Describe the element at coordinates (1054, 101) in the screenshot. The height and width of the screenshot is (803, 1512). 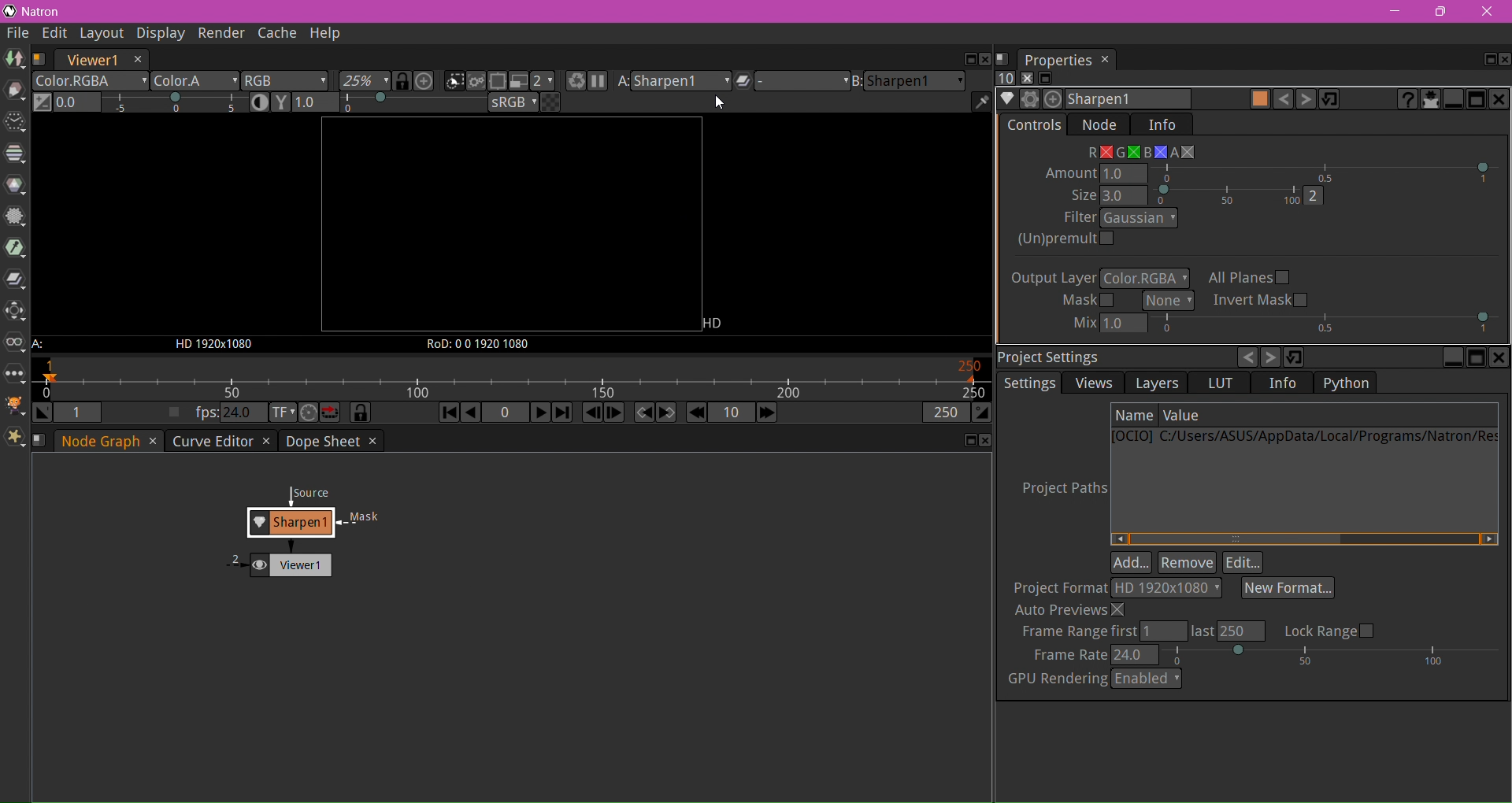
I see `Centers the node graph on this item` at that location.